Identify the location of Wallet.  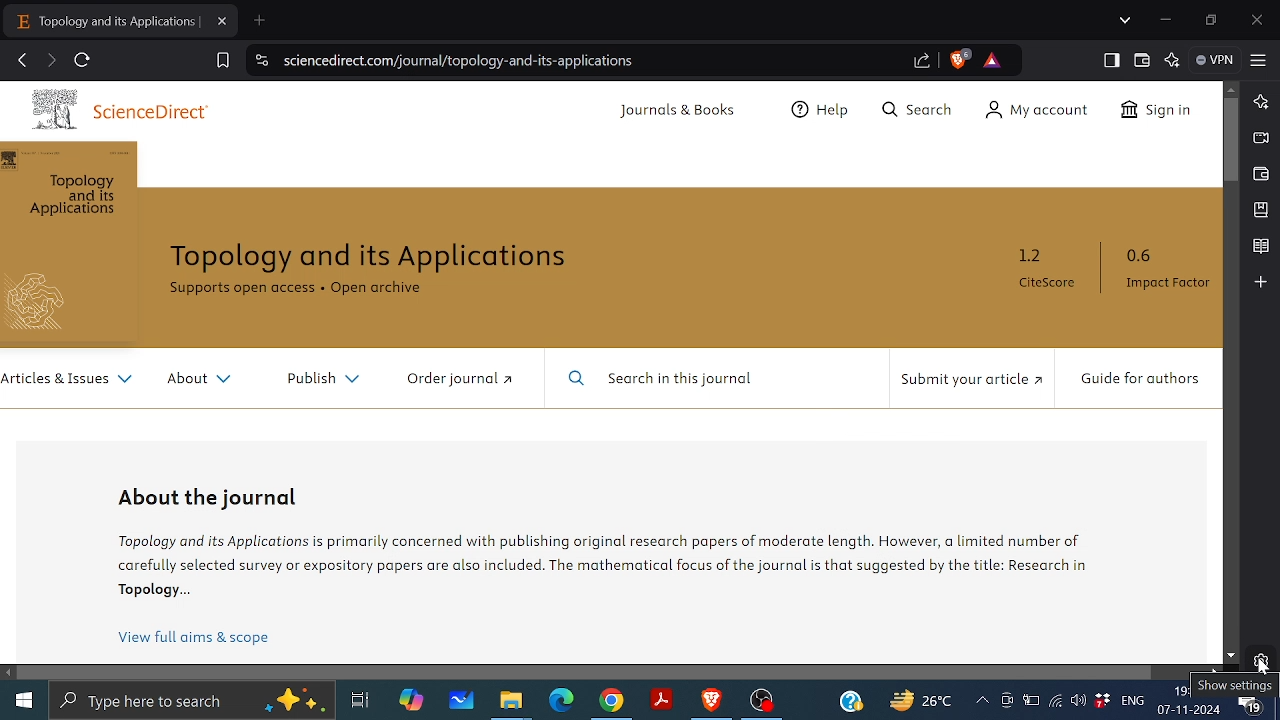
(1144, 60).